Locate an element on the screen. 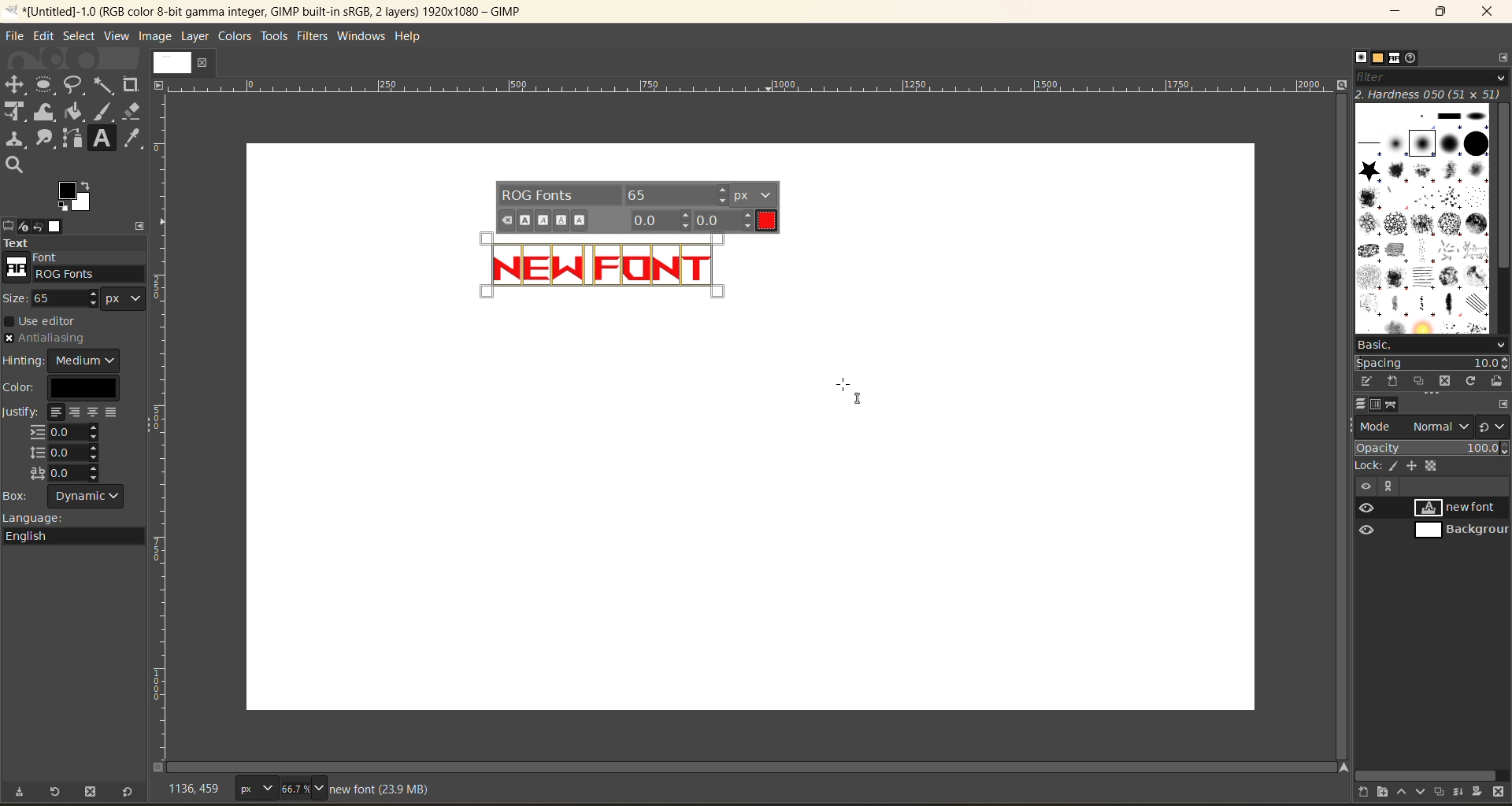 This screenshot has width=1512, height=806. tool options is located at coordinates (9, 226).